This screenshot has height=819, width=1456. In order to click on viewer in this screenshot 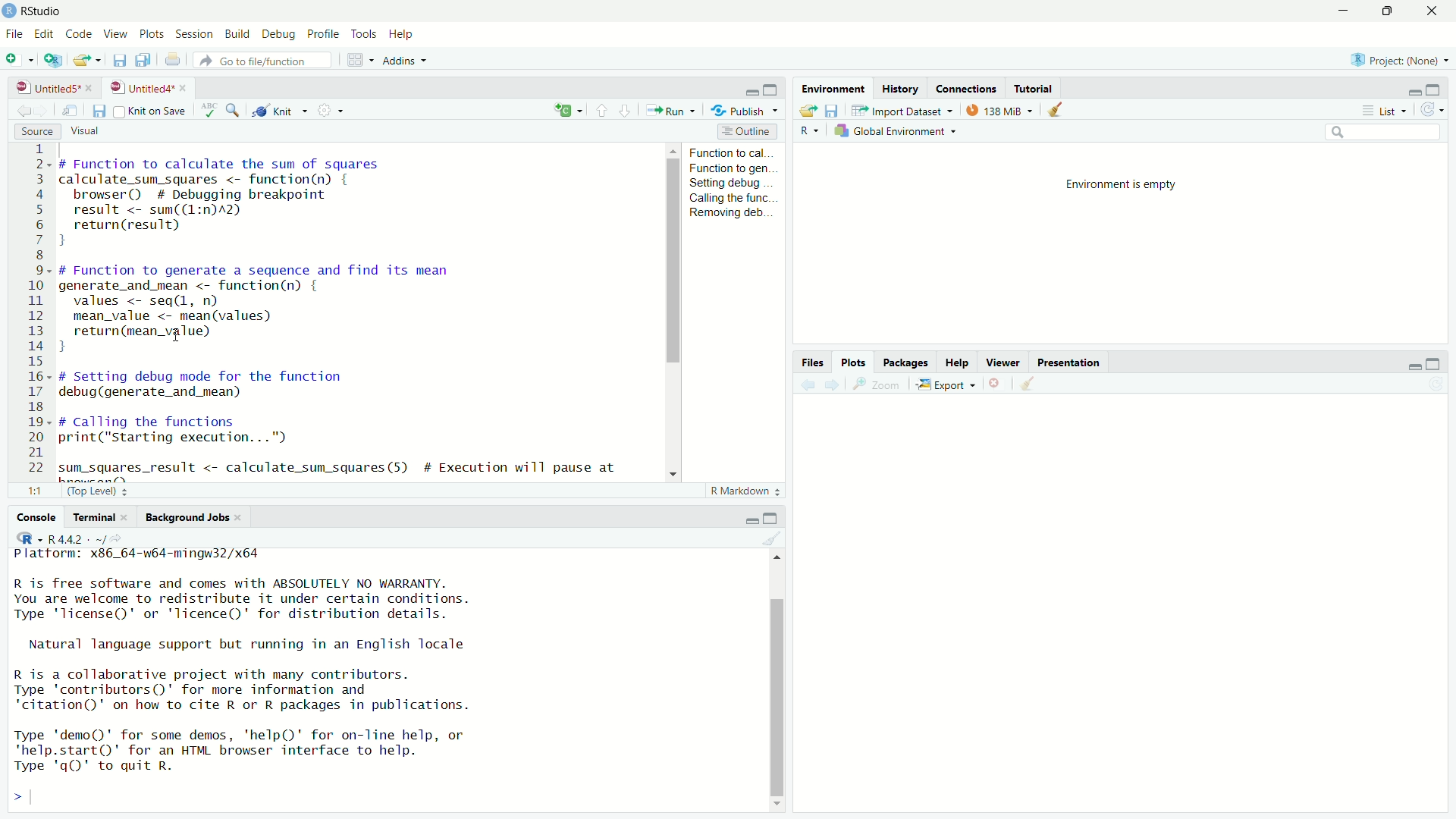, I will do `click(1003, 360)`.